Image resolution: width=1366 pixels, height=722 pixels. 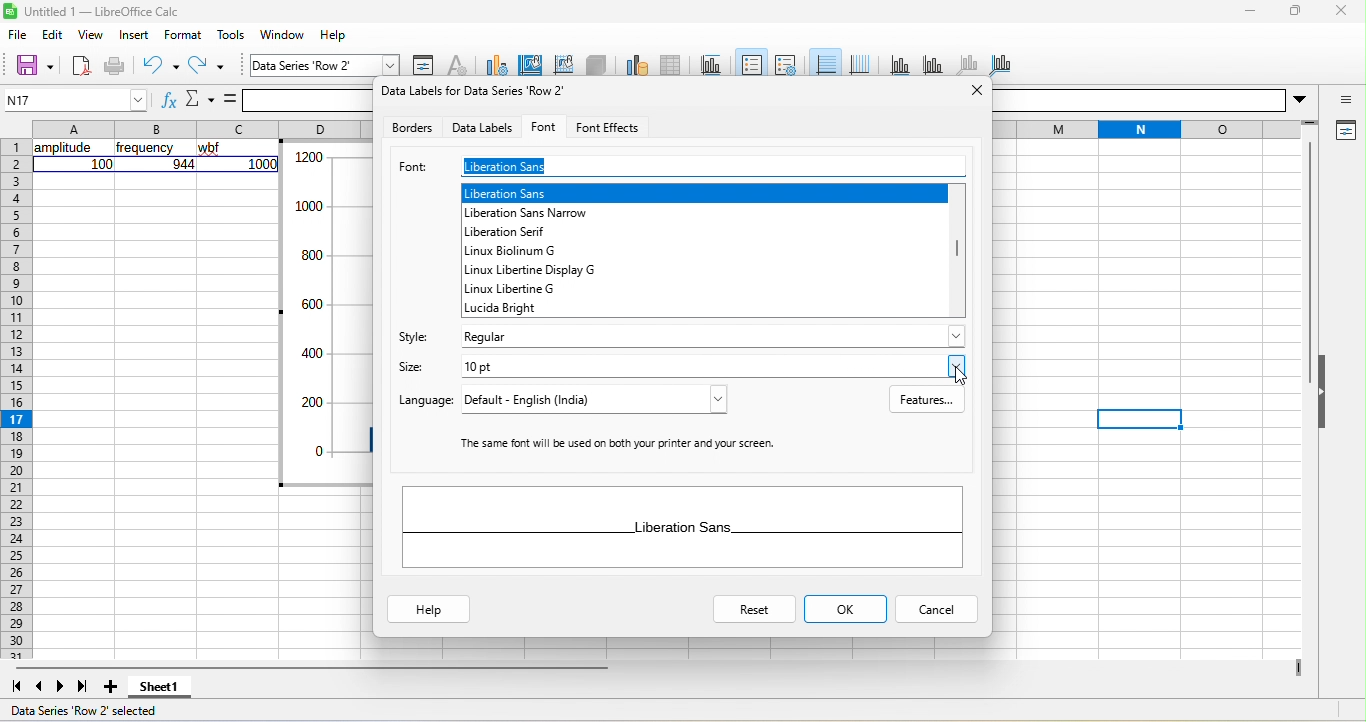 What do you see at coordinates (1312, 242) in the screenshot?
I see `vertical scroll bar` at bounding box center [1312, 242].